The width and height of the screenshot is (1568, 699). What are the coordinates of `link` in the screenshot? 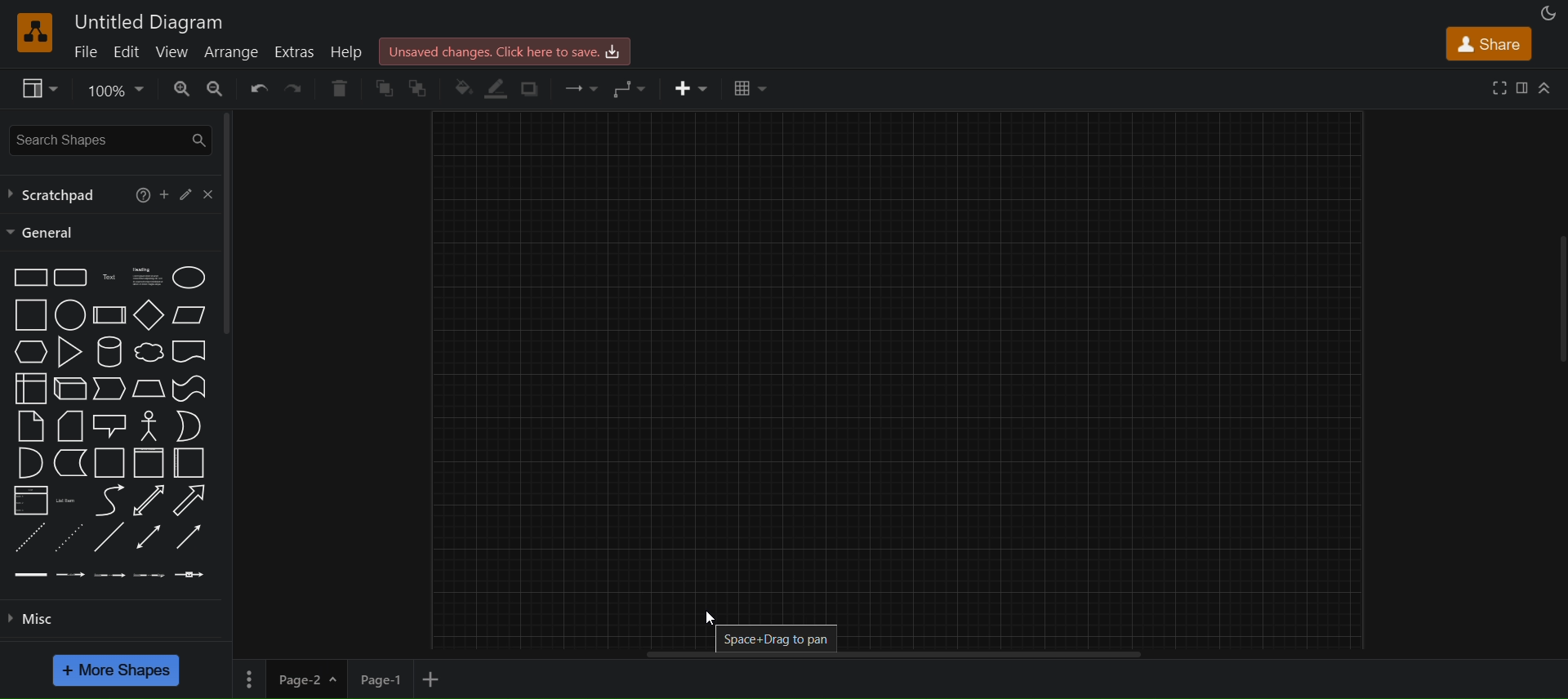 It's located at (31, 573).